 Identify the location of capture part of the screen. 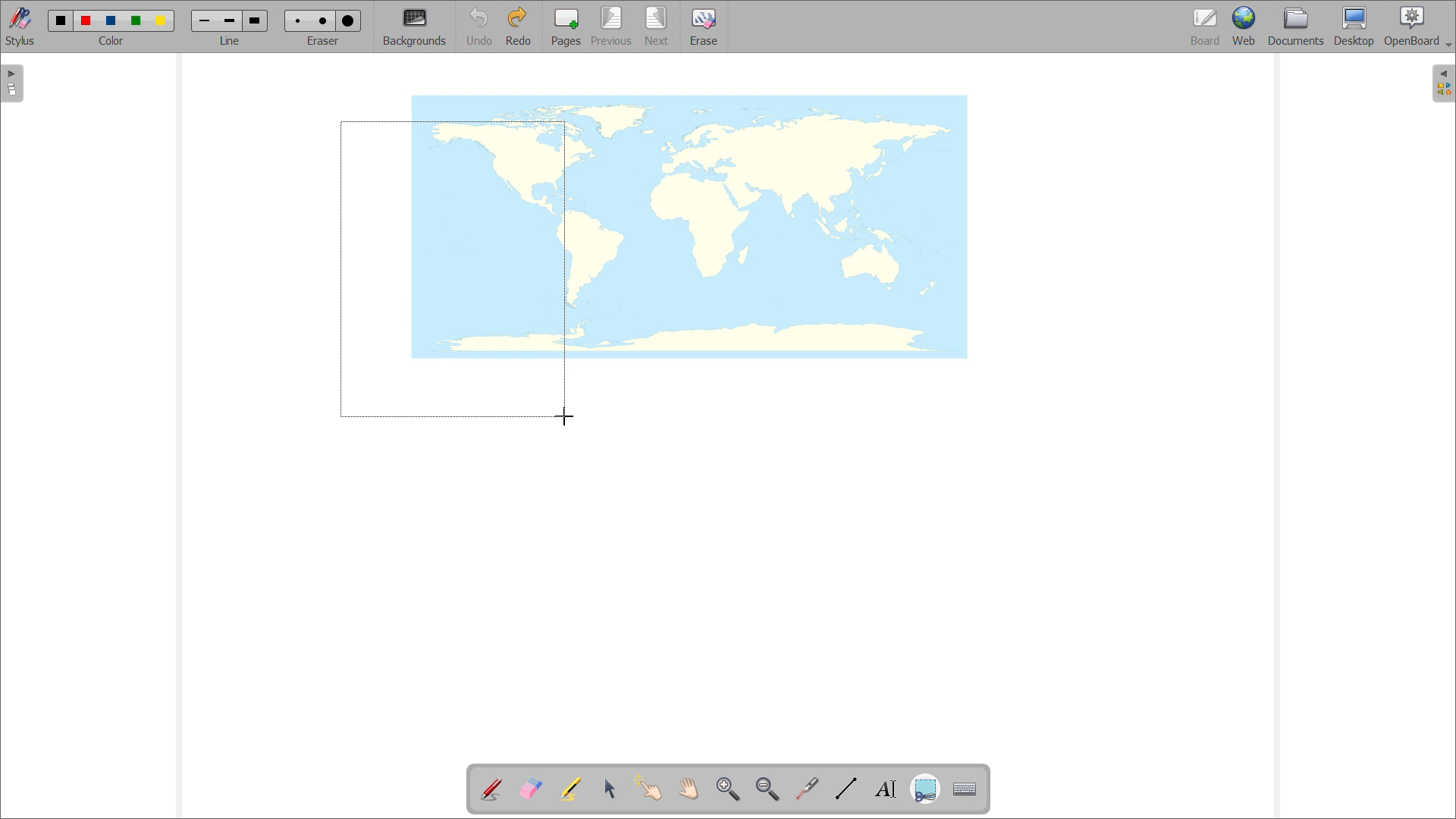
(925, 790).